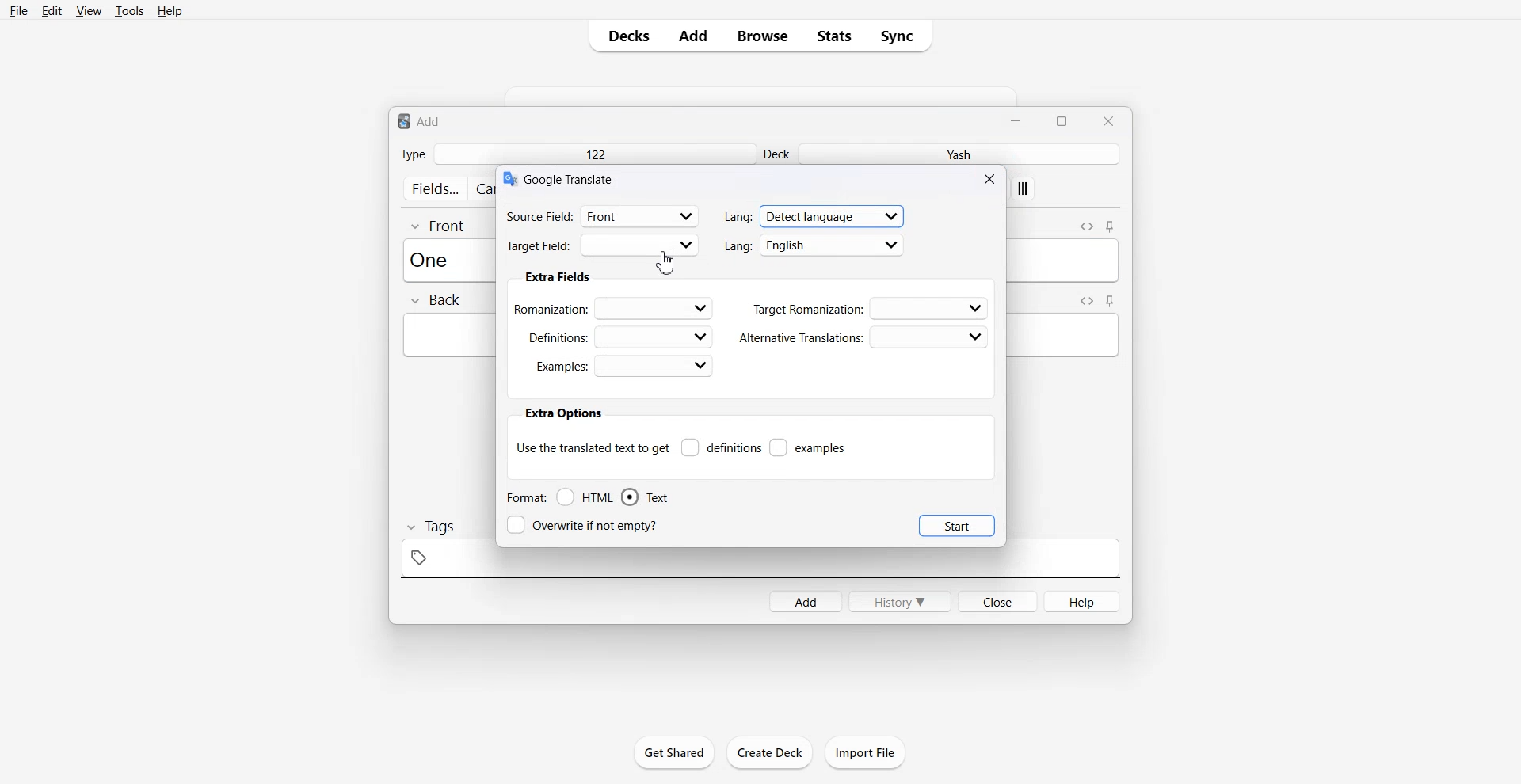 The width and height of the screenshot is (1521, 784). What do you see at coordinates (614, 308) in the screenshot?
I see `Romanization` at bounding box center [614, 308].